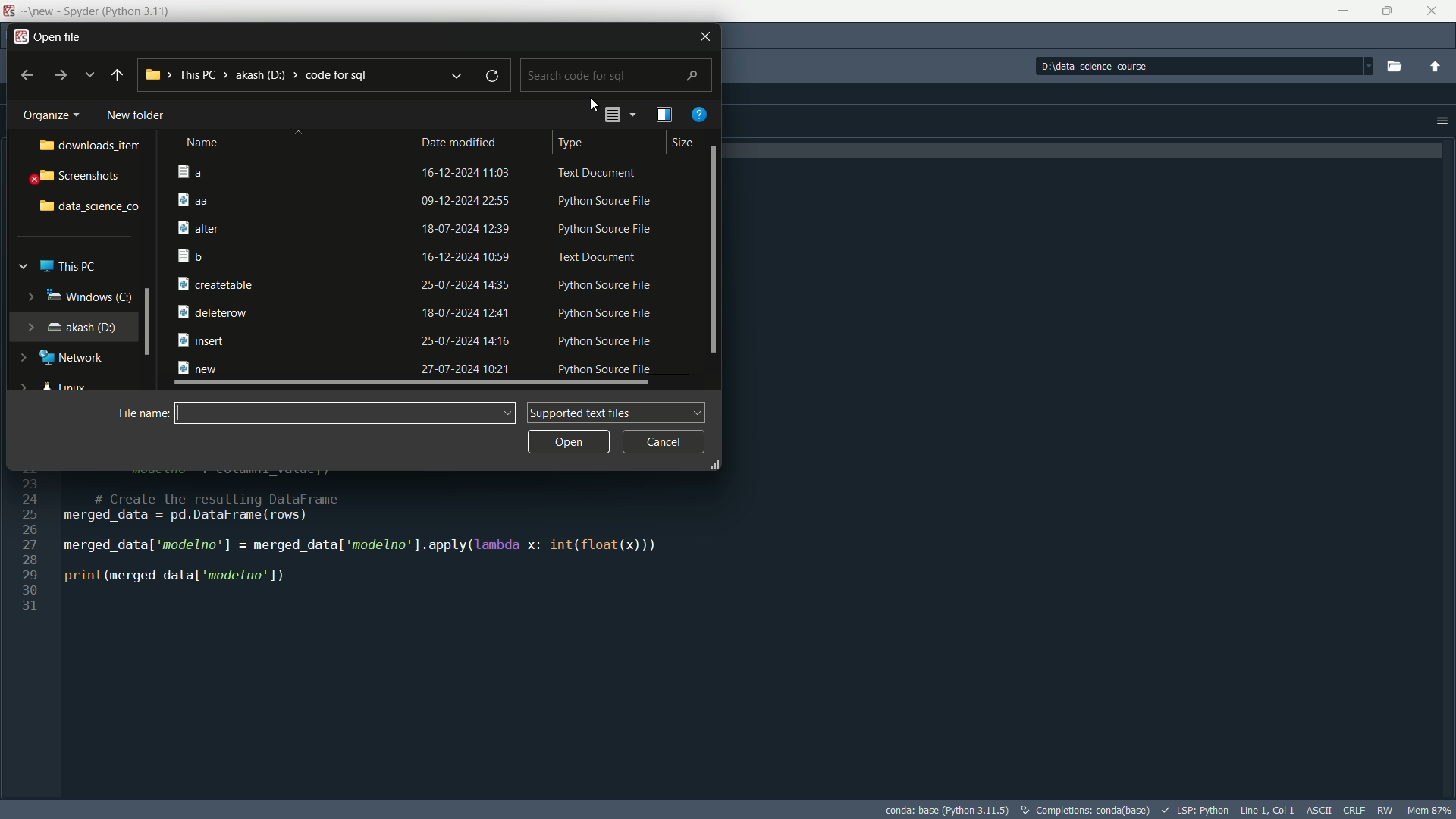 Image resolution: width=1456 pixels, height=819 pixels. Describe the element at coordinates (616, 74) in the screenshot. I see `search bar` at that location.